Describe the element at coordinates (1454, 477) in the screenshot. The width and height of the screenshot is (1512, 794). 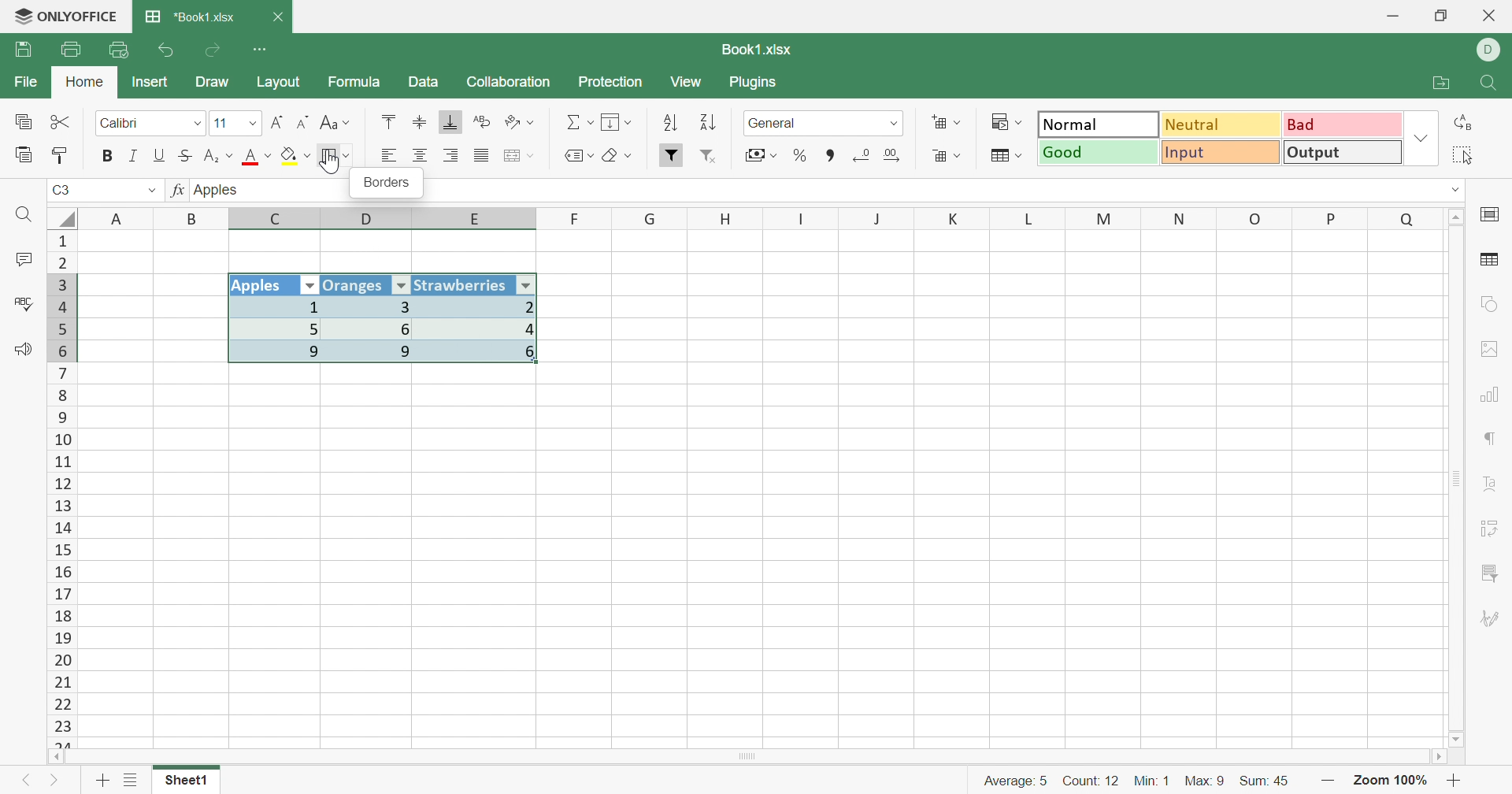
I see `vertical scroll Bar` at that location.